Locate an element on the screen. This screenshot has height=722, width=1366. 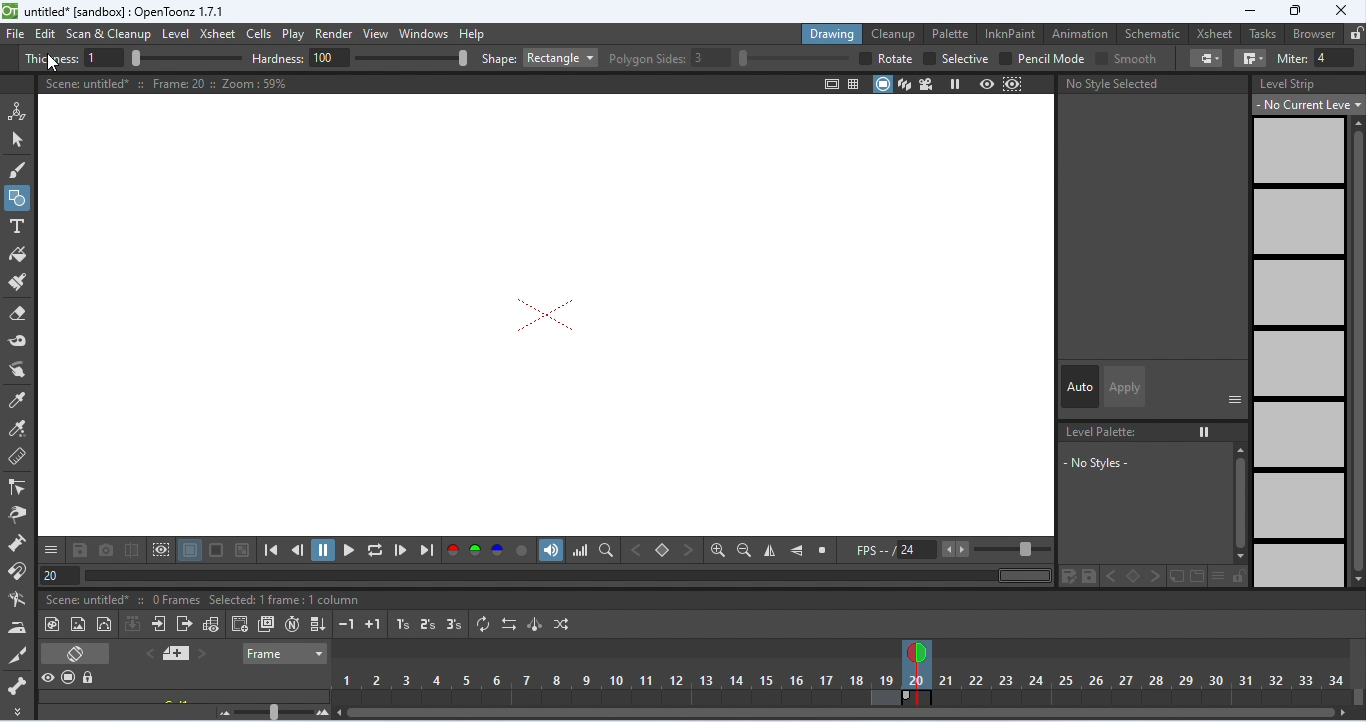
locator is located at coordinates (606, 550).